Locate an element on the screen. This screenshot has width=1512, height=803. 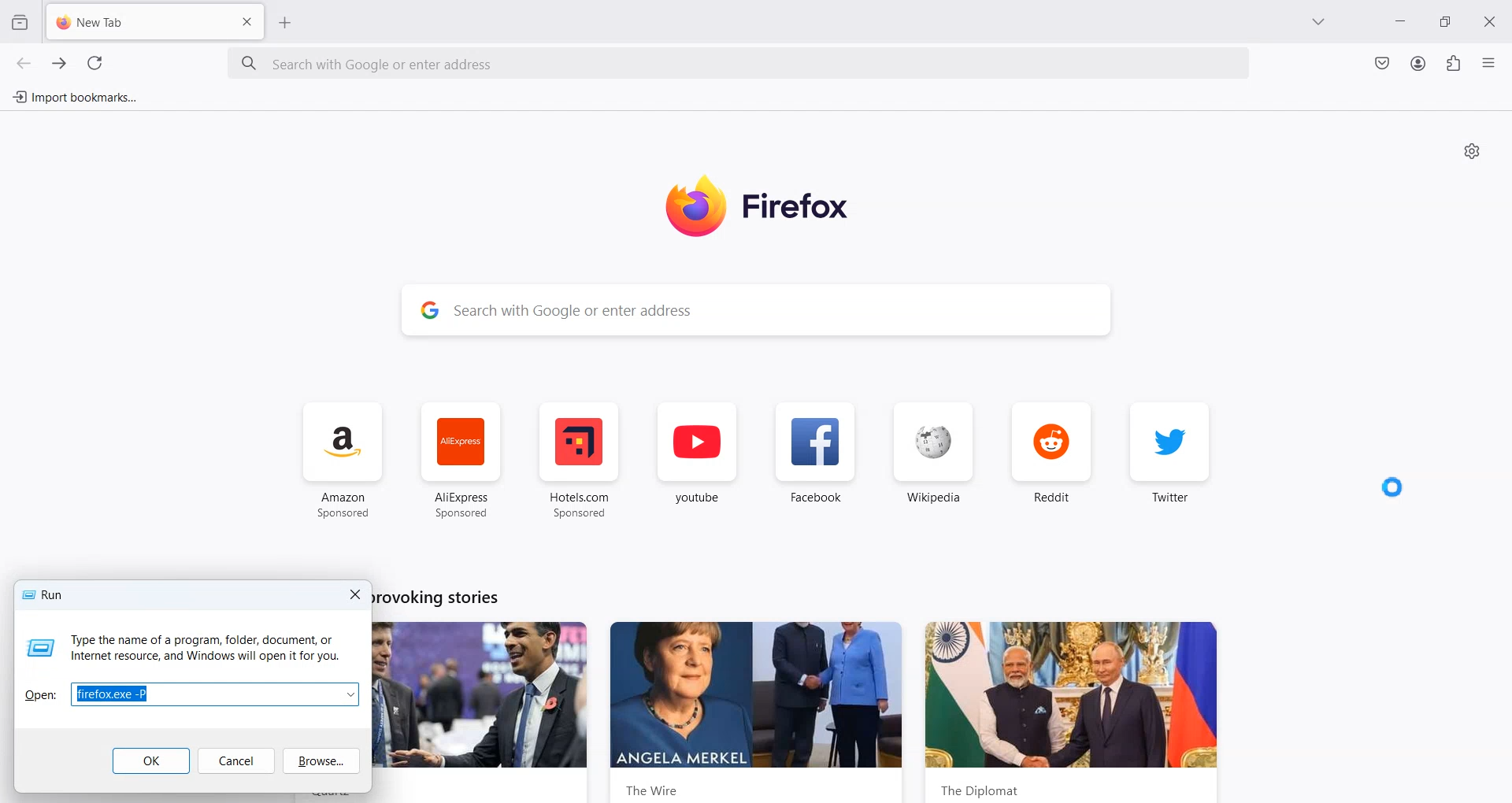
Quartz is located at coordinates (486, 713).